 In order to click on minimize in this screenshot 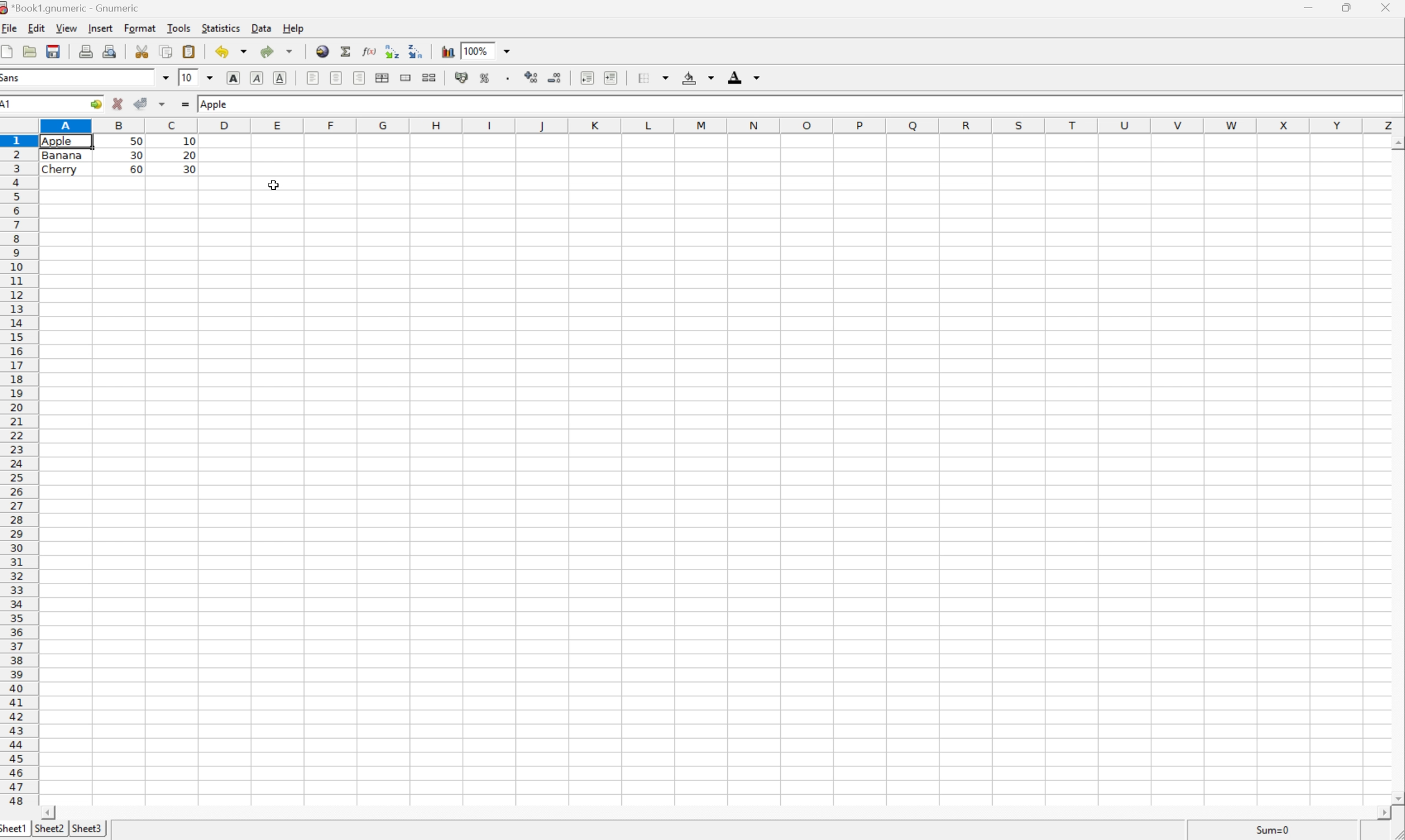, I will do `click(1311, 7)`.